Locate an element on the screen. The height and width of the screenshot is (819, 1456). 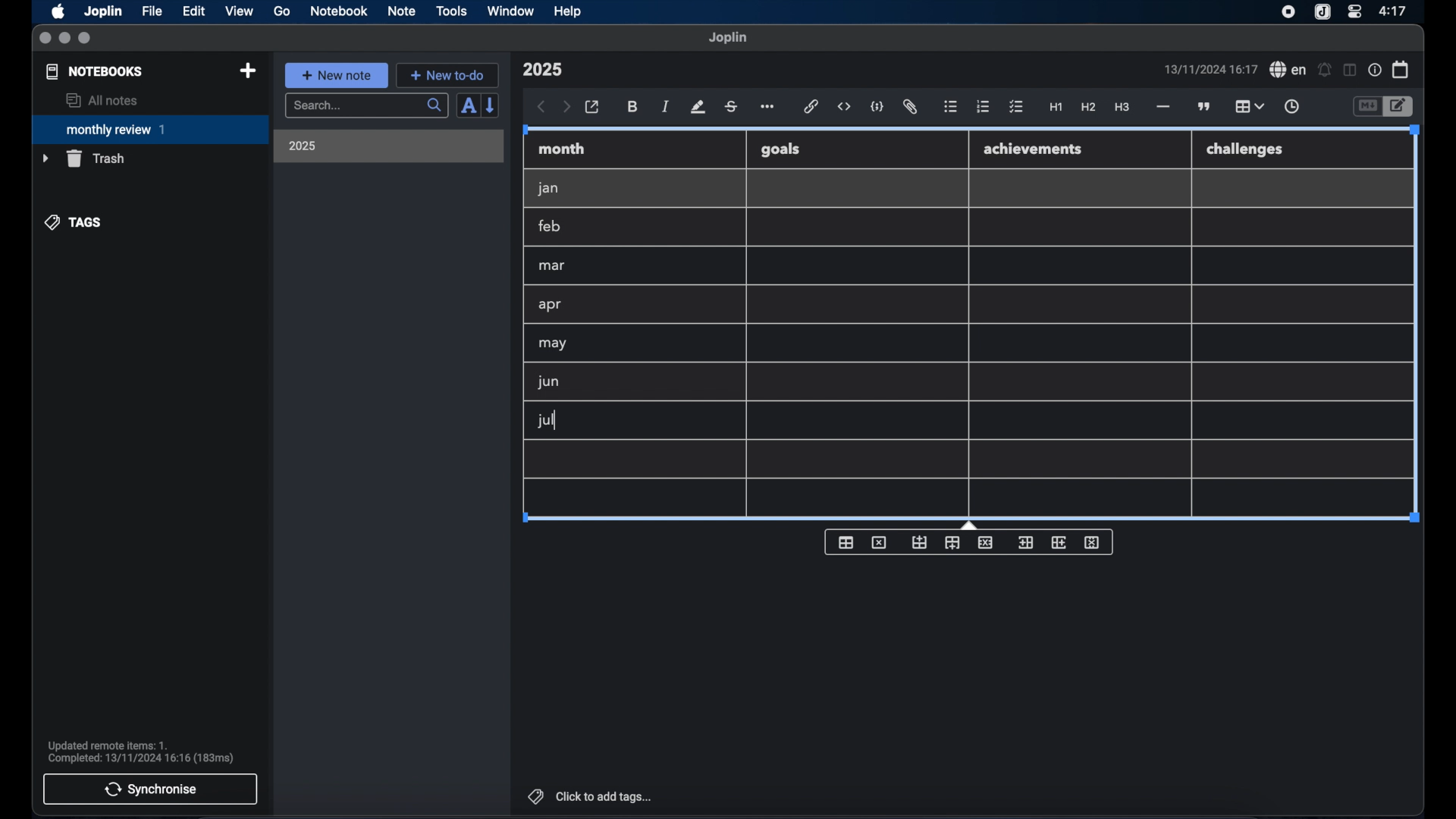
go is located at coordinates (282, 11).